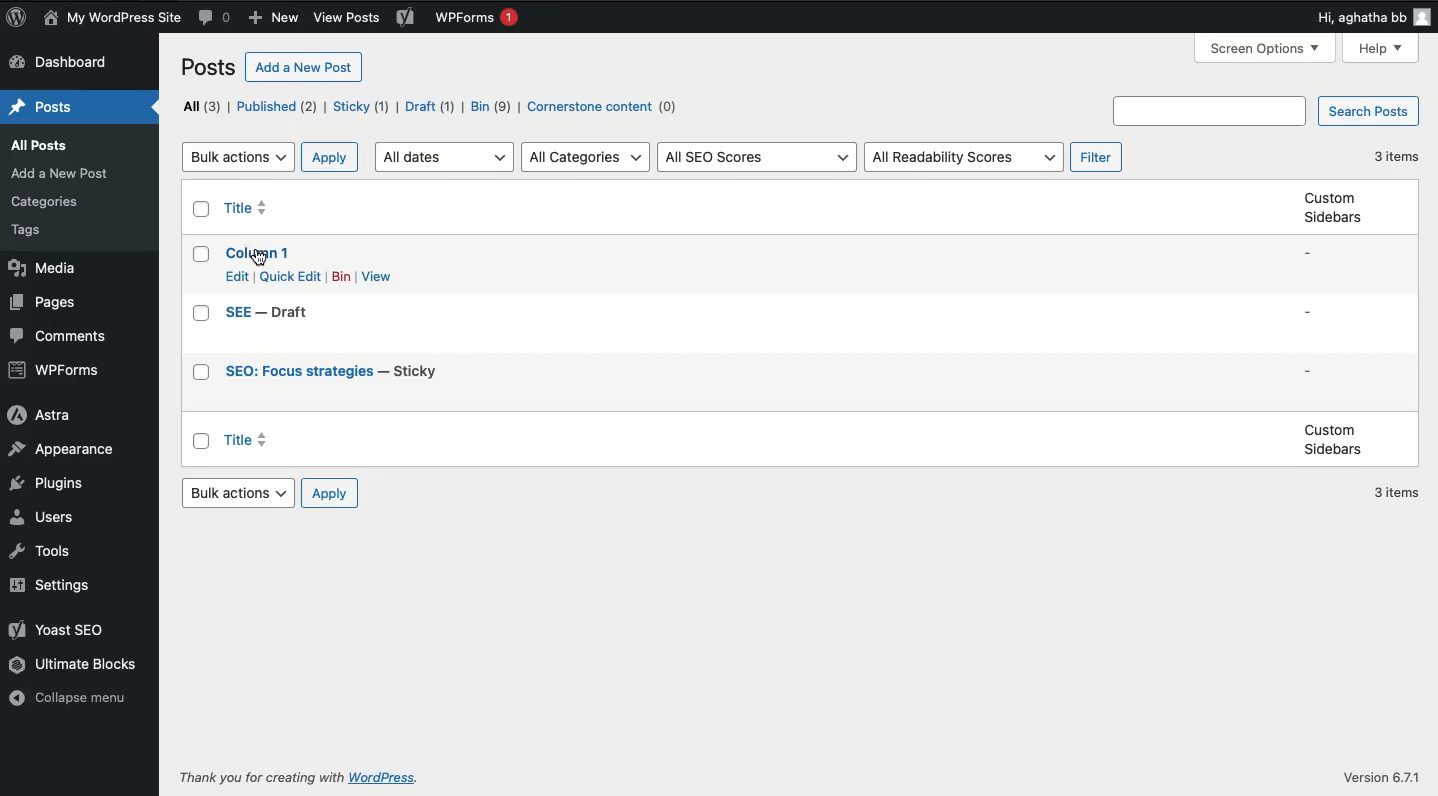 The width and height of the screenshot is (1438, 796). I want to click on Bulk actions, so click(241, 156).